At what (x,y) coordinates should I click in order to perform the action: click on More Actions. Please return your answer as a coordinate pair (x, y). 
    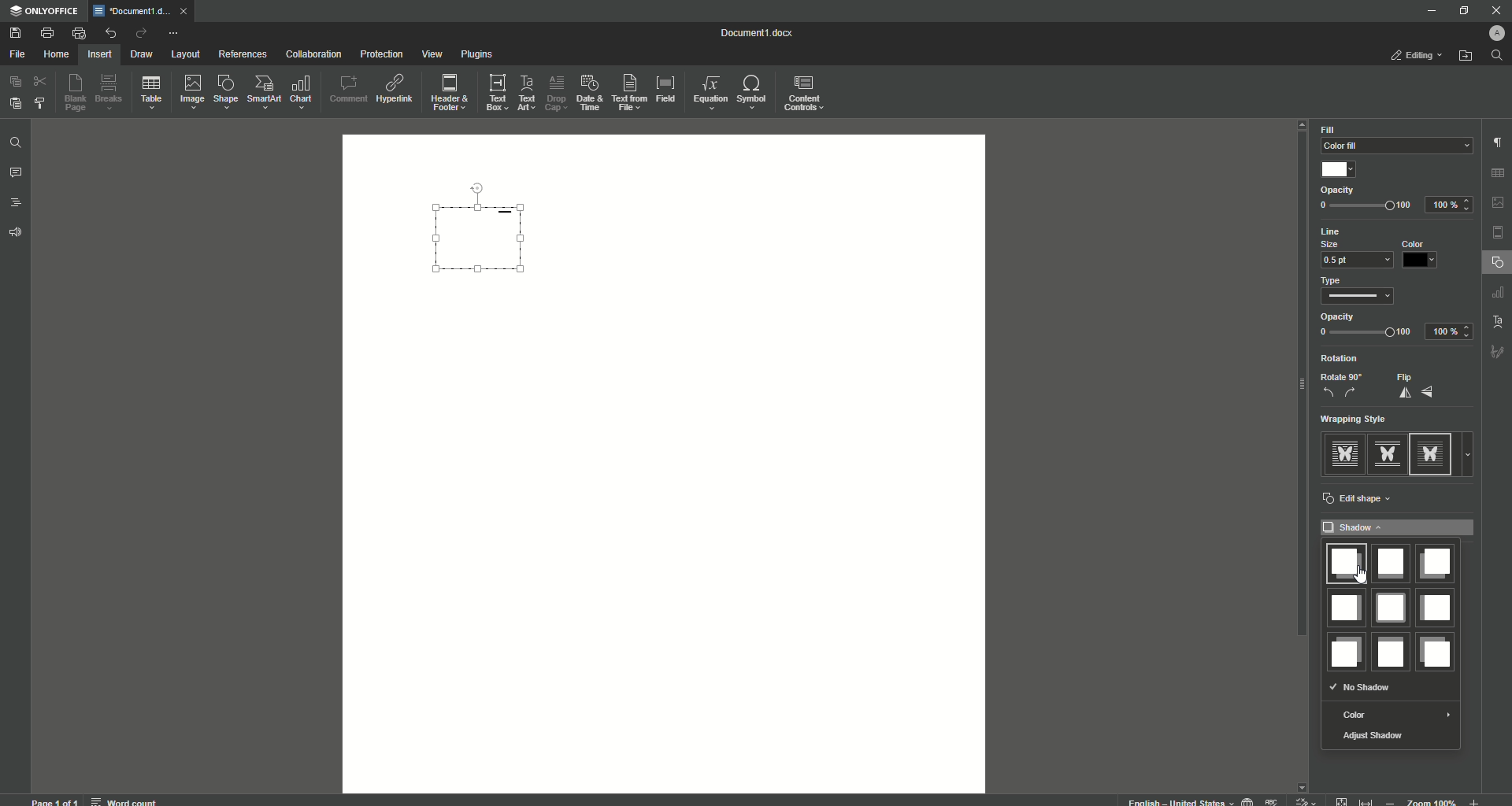
    Looking at the image, I should click on (172, 35).